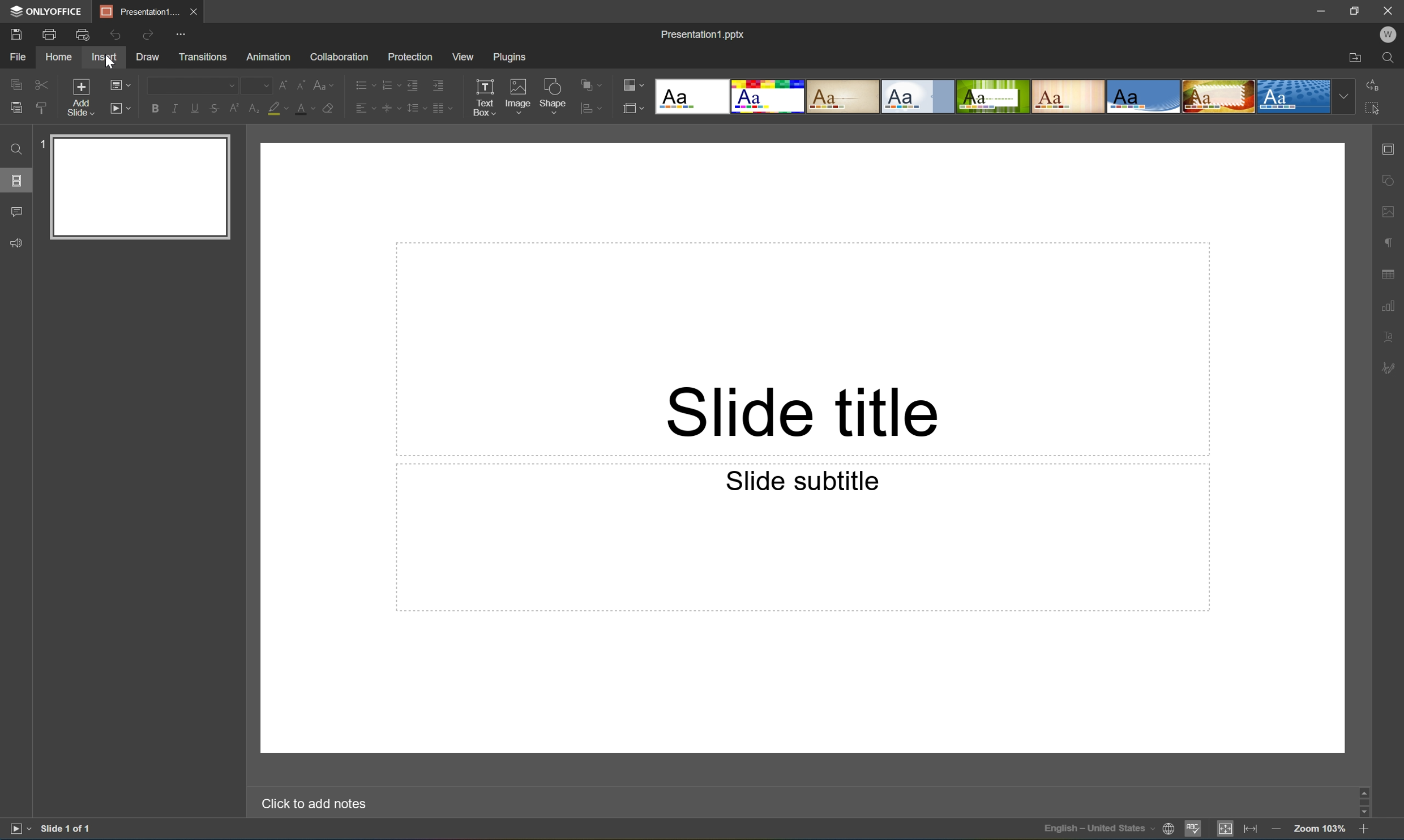 This screenshot has height=840, width=1404. Describe the element at coordinates (705, 36) in the screenshot. I see `Presentation1.pptx` at that location.